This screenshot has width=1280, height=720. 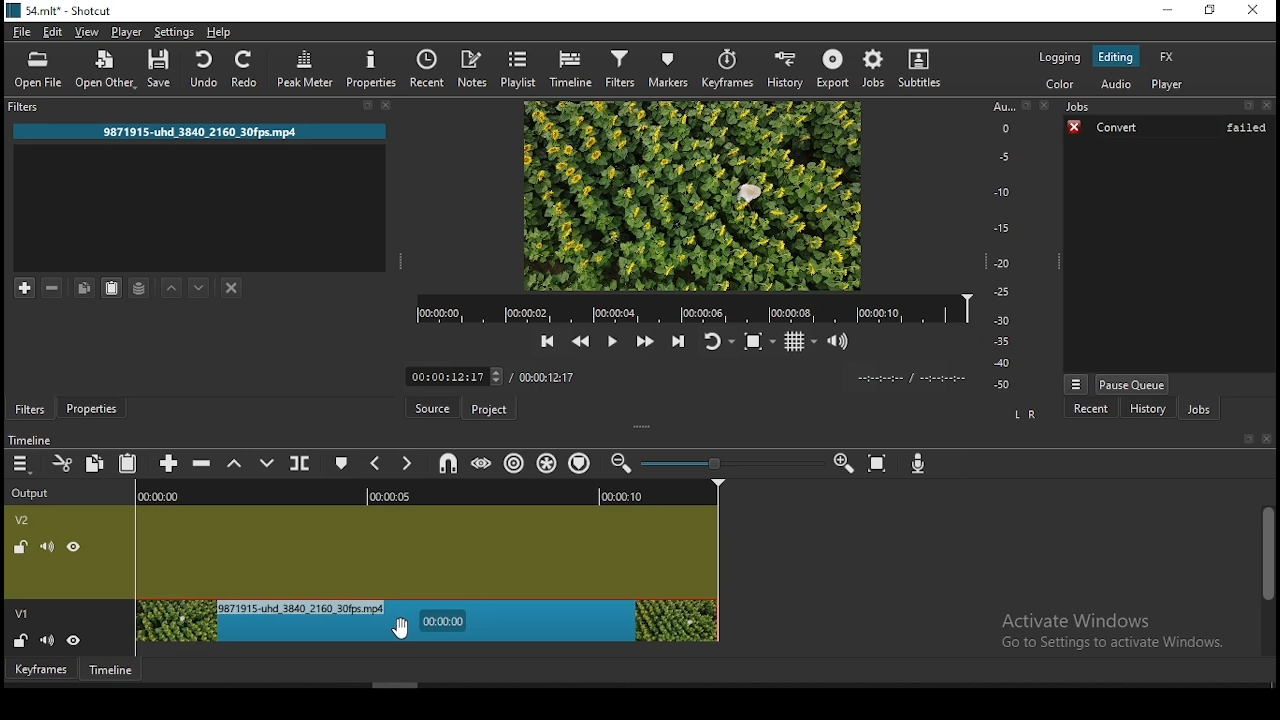 What do you see at coordinates (1201, 409) in the screenshot?
I see `jobs` at bounding box center [1201, 409].